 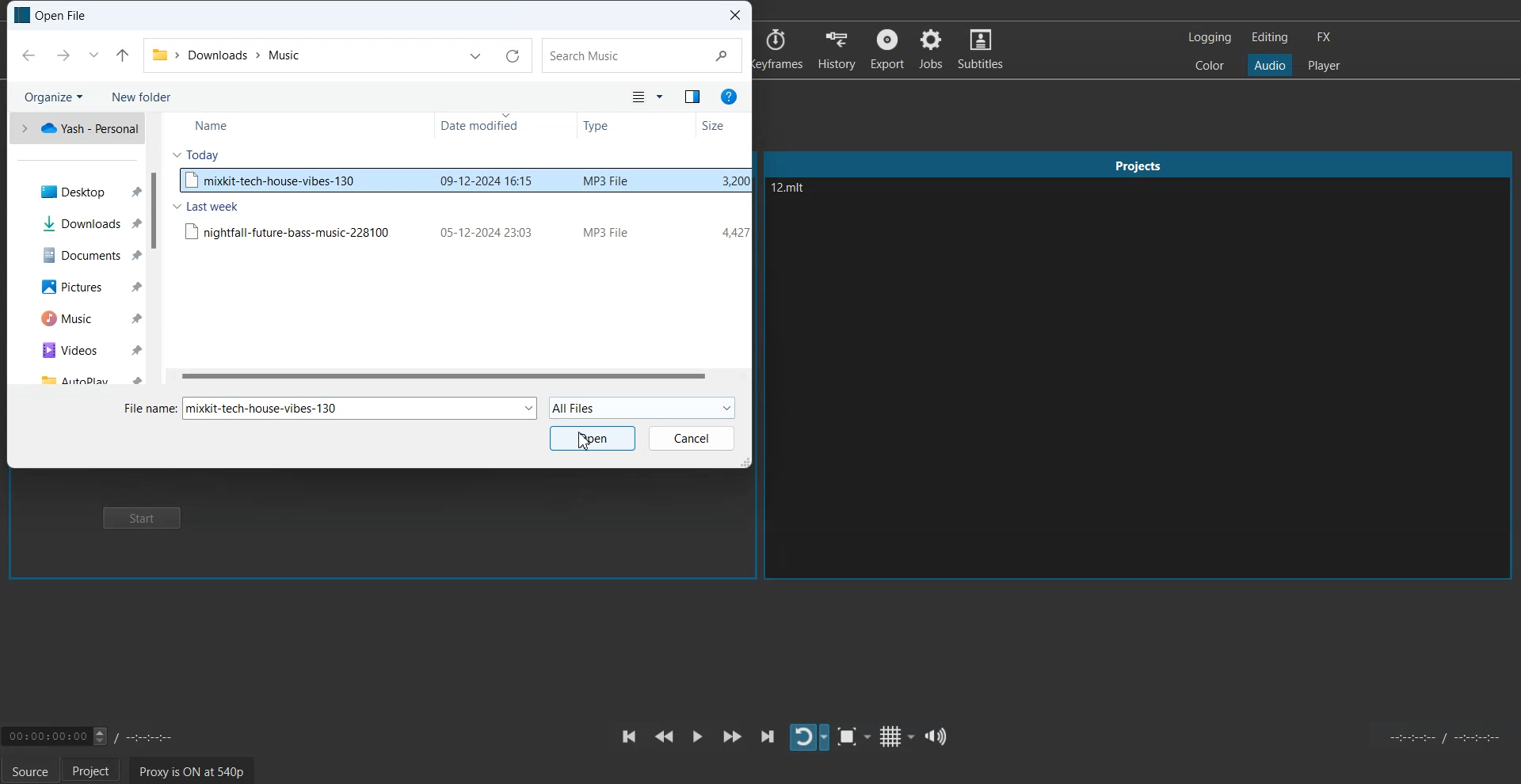 What do you see at coordinates (141, 518) in the screenshot?
I see `Start` at bounding box center [141, 518].